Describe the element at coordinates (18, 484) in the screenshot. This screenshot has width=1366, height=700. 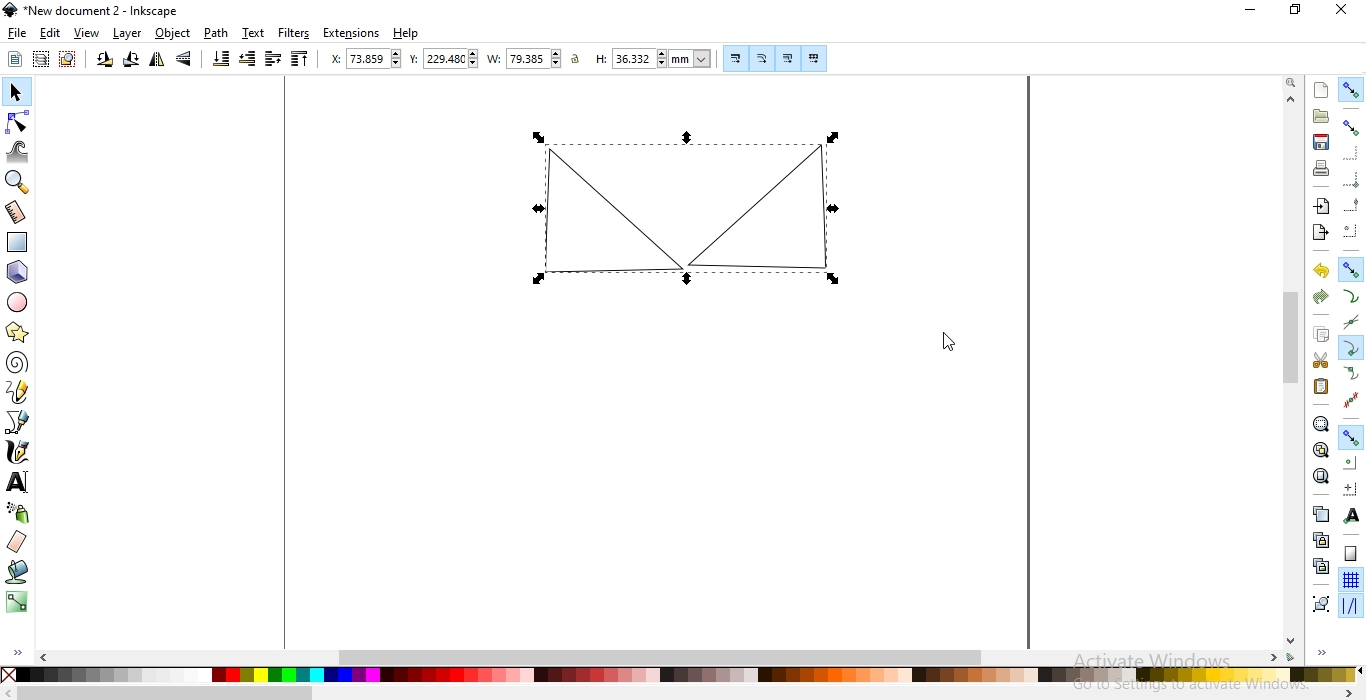
I see `create and edit text objects` at that location.